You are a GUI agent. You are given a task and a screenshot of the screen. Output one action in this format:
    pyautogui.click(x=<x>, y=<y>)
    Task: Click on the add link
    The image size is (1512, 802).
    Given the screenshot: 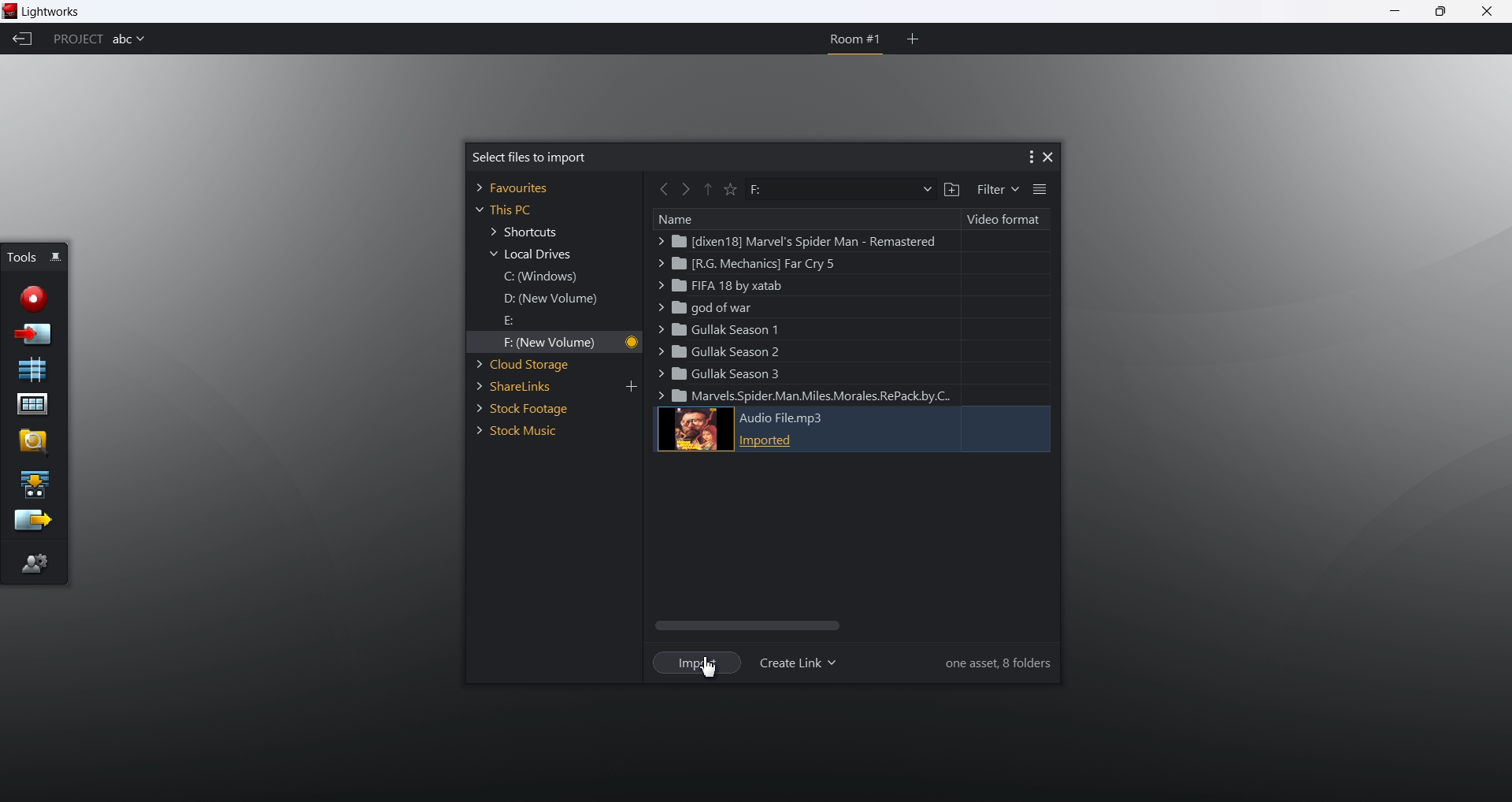 What is the action you would take?
    pyautogui.click(x=631, y=387)
    